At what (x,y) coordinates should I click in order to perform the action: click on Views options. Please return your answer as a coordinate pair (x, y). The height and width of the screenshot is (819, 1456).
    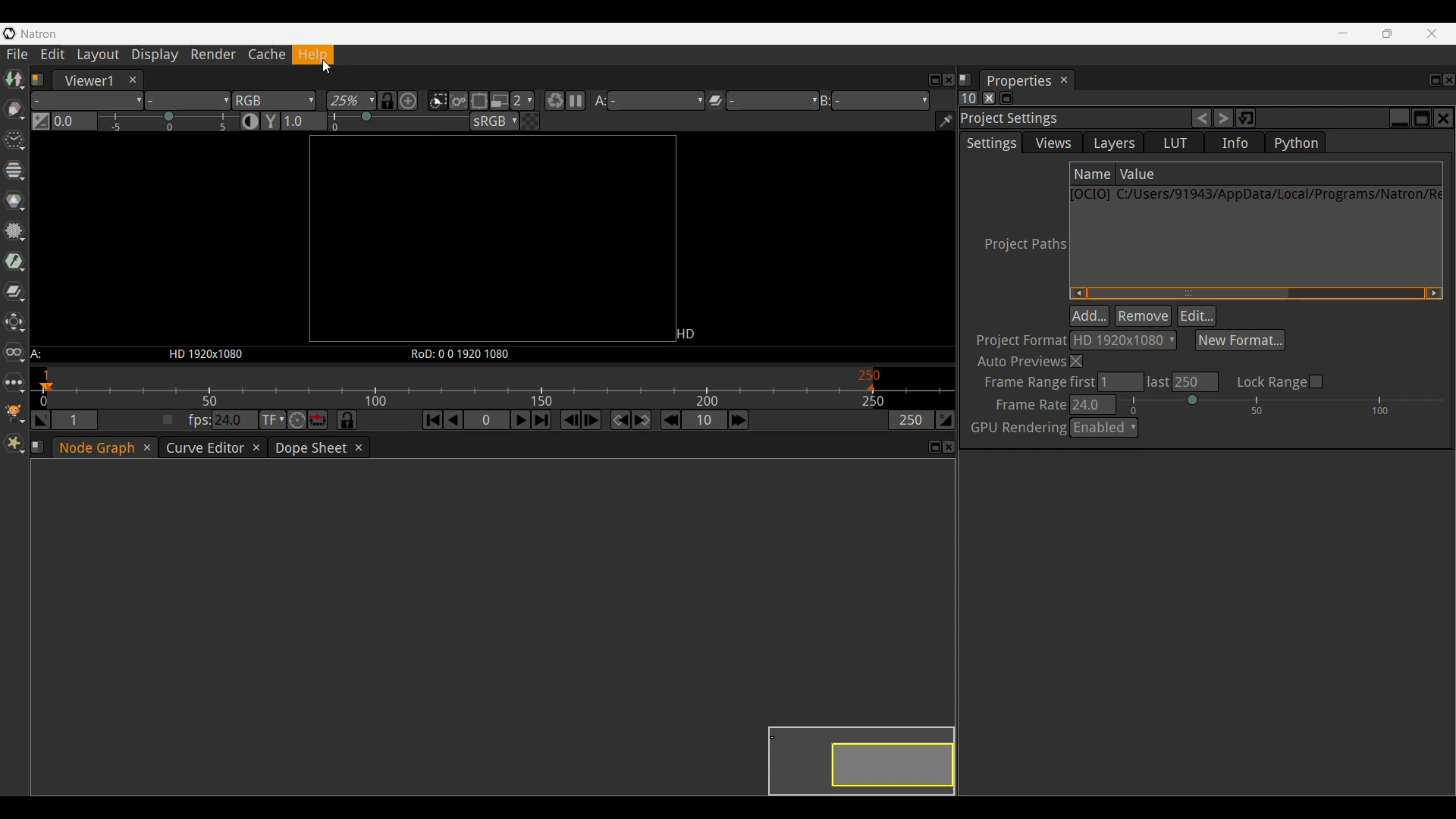
    Looking at the image, I should click on (14, 353).